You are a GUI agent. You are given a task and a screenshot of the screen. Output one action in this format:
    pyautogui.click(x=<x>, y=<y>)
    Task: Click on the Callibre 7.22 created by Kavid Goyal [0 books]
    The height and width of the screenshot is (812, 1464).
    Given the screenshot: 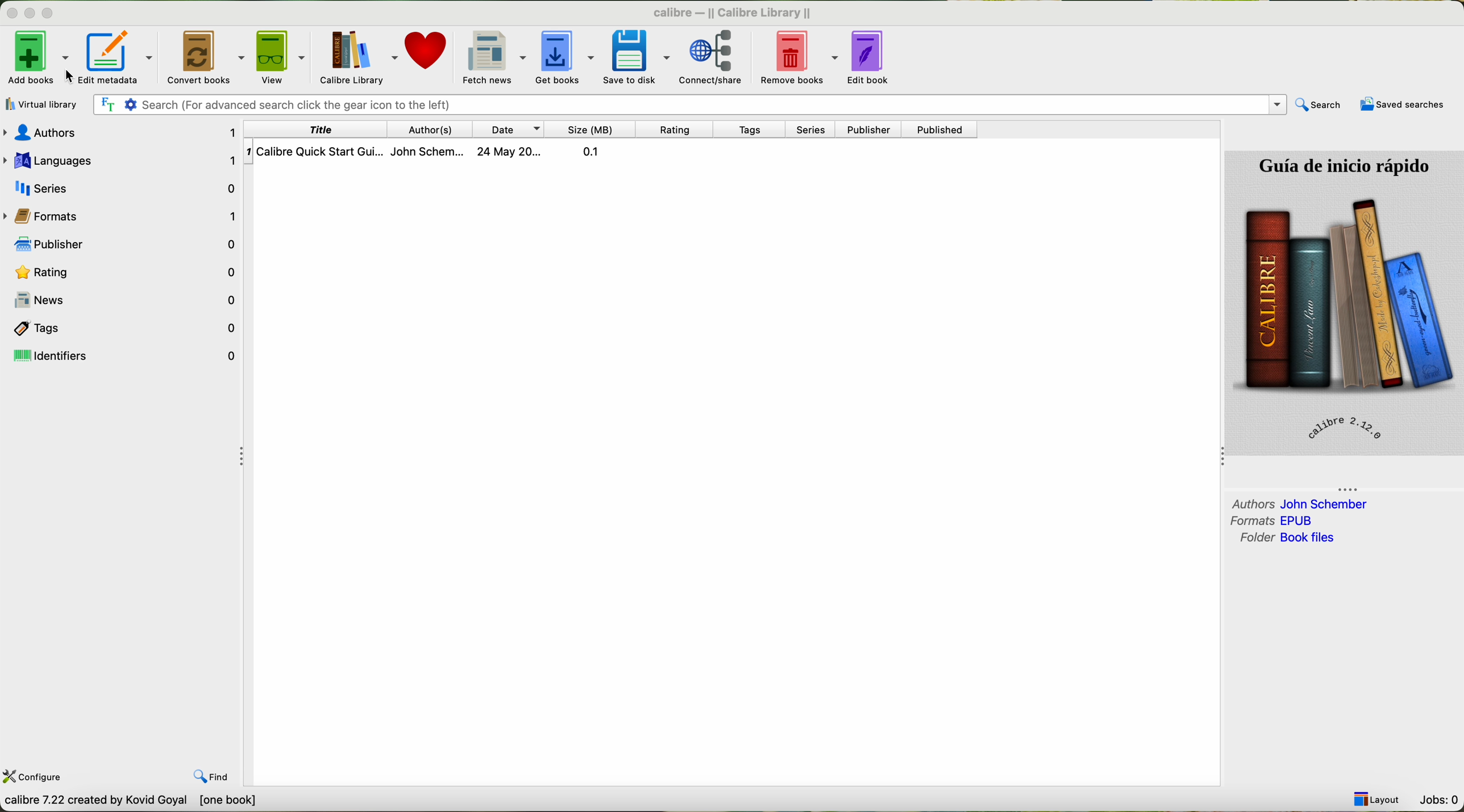 What is the action you would take?
    pyautogui.click(x=135, y=802)
    